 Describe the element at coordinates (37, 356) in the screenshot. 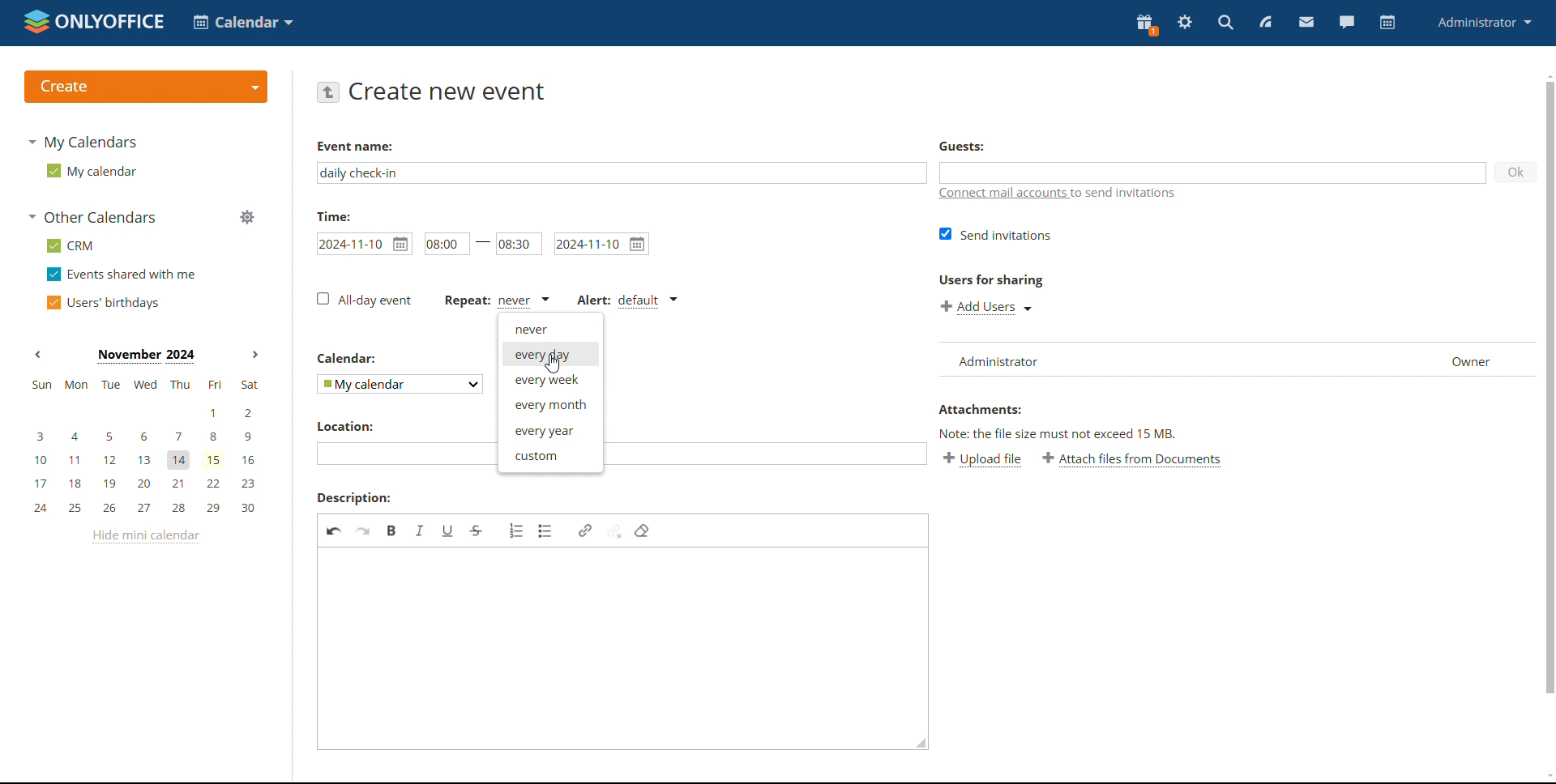

I see `previous month` at that location.